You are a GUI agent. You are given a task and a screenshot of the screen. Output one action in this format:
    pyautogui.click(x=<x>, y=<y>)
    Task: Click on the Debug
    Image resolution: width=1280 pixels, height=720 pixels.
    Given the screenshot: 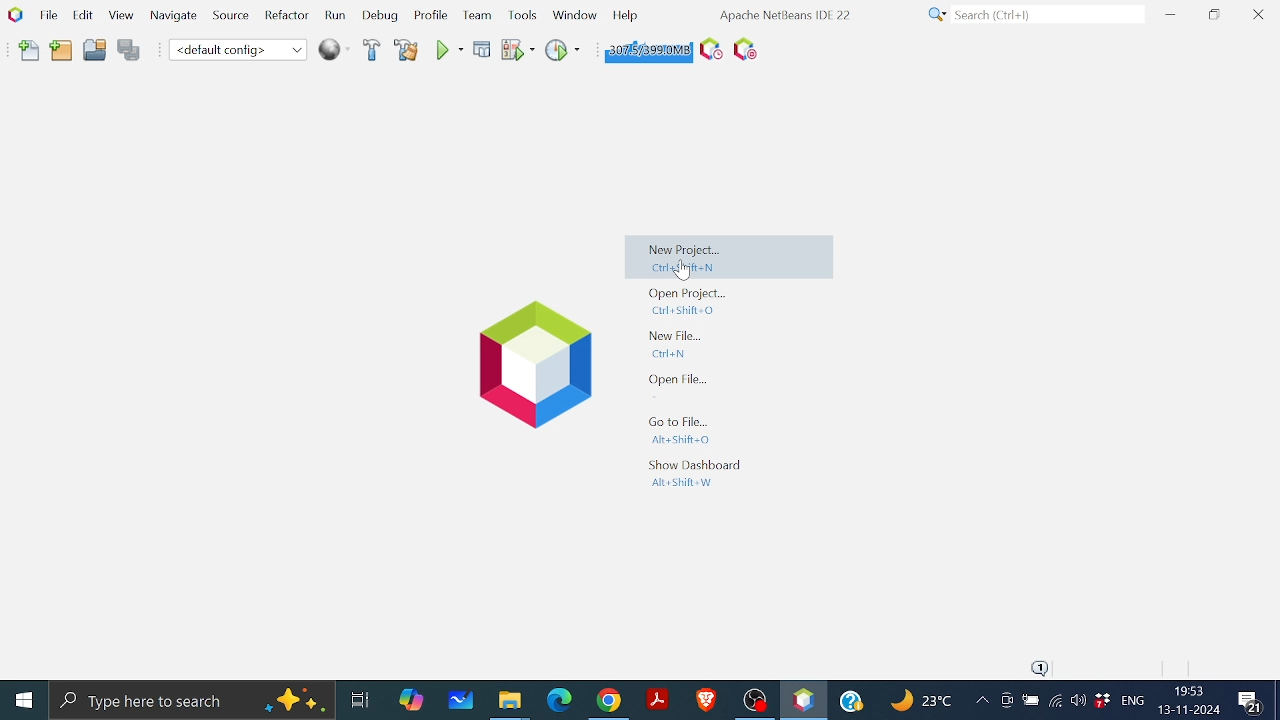 What is the action you would take?
    pyautogui.click(x=381, y=16)
    